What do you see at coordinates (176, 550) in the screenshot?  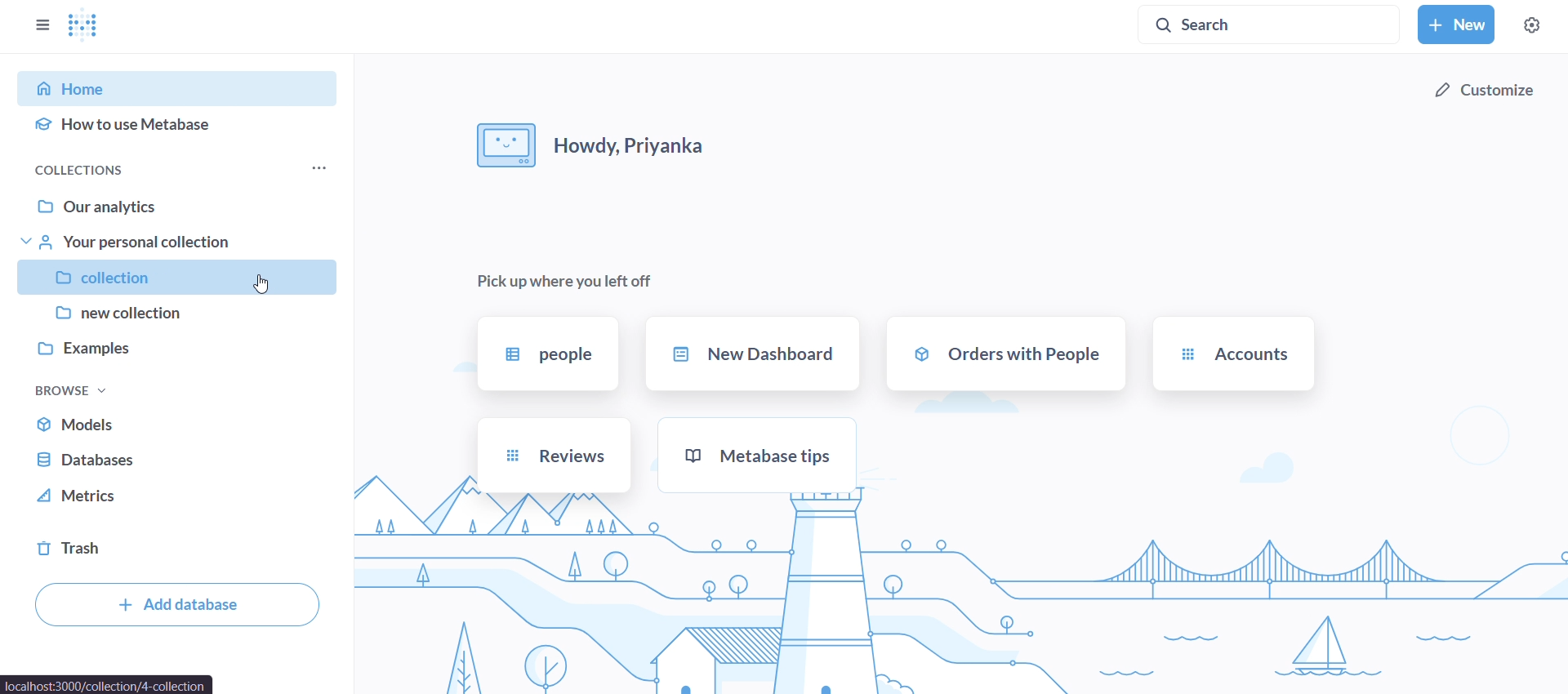 I see `trash` at bounding box center [176, 550].